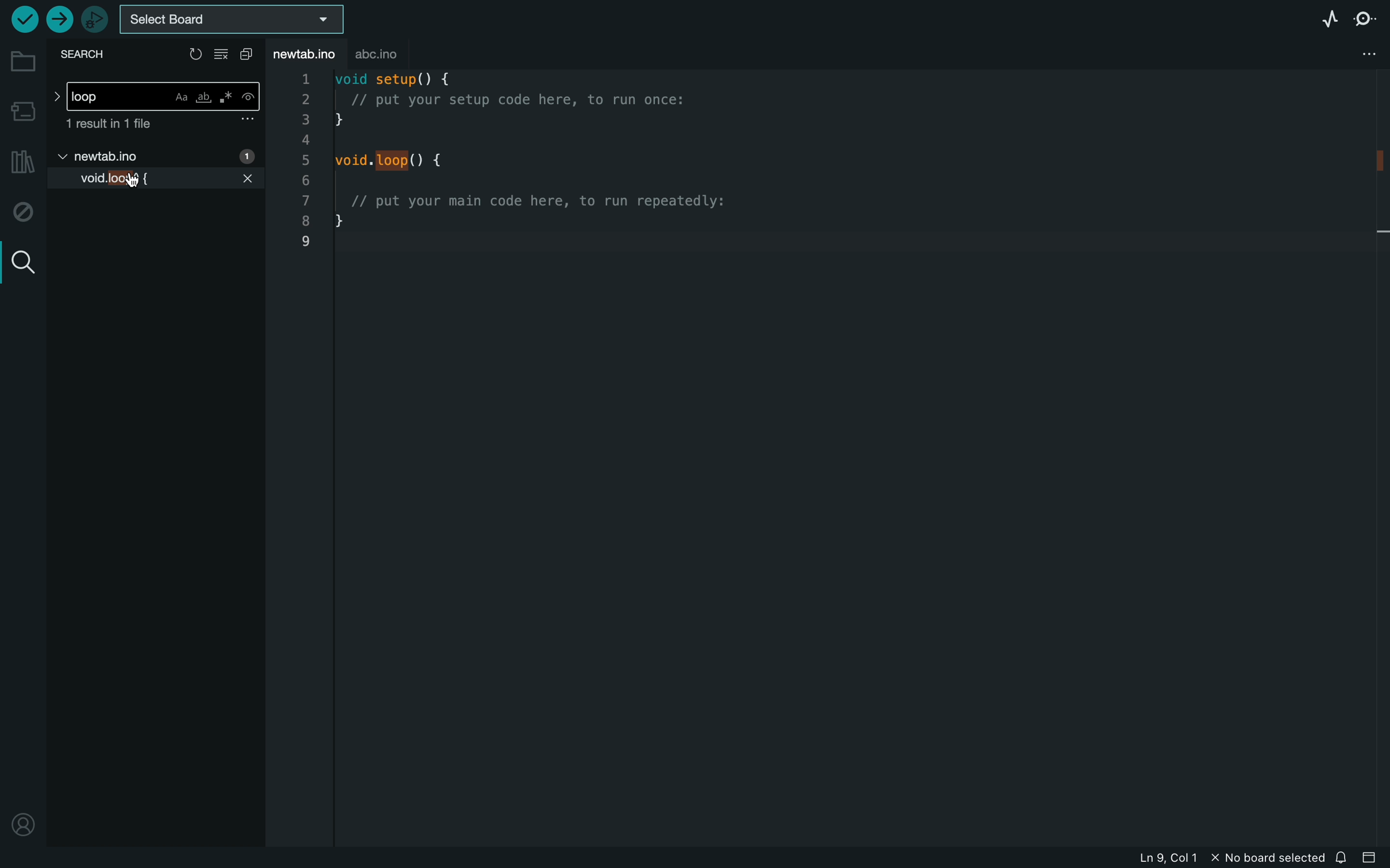 Image resolution: width=1390 pixels, height=868 pixels. Describe the element at coordinates (1207, 855) in the screenshot. I see `file information` at that location.